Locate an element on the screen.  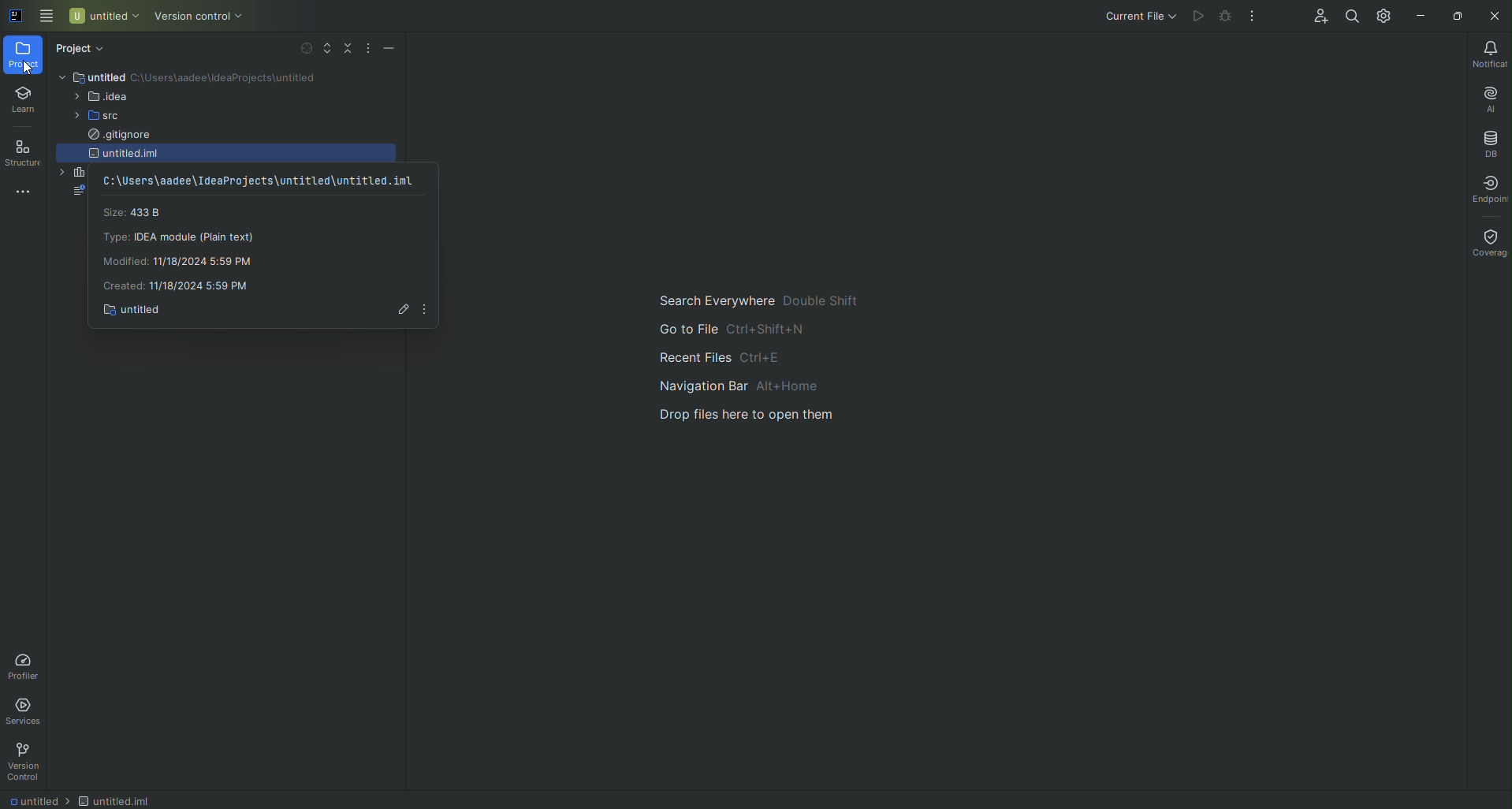
Learn is located at coordinates (22, 101).